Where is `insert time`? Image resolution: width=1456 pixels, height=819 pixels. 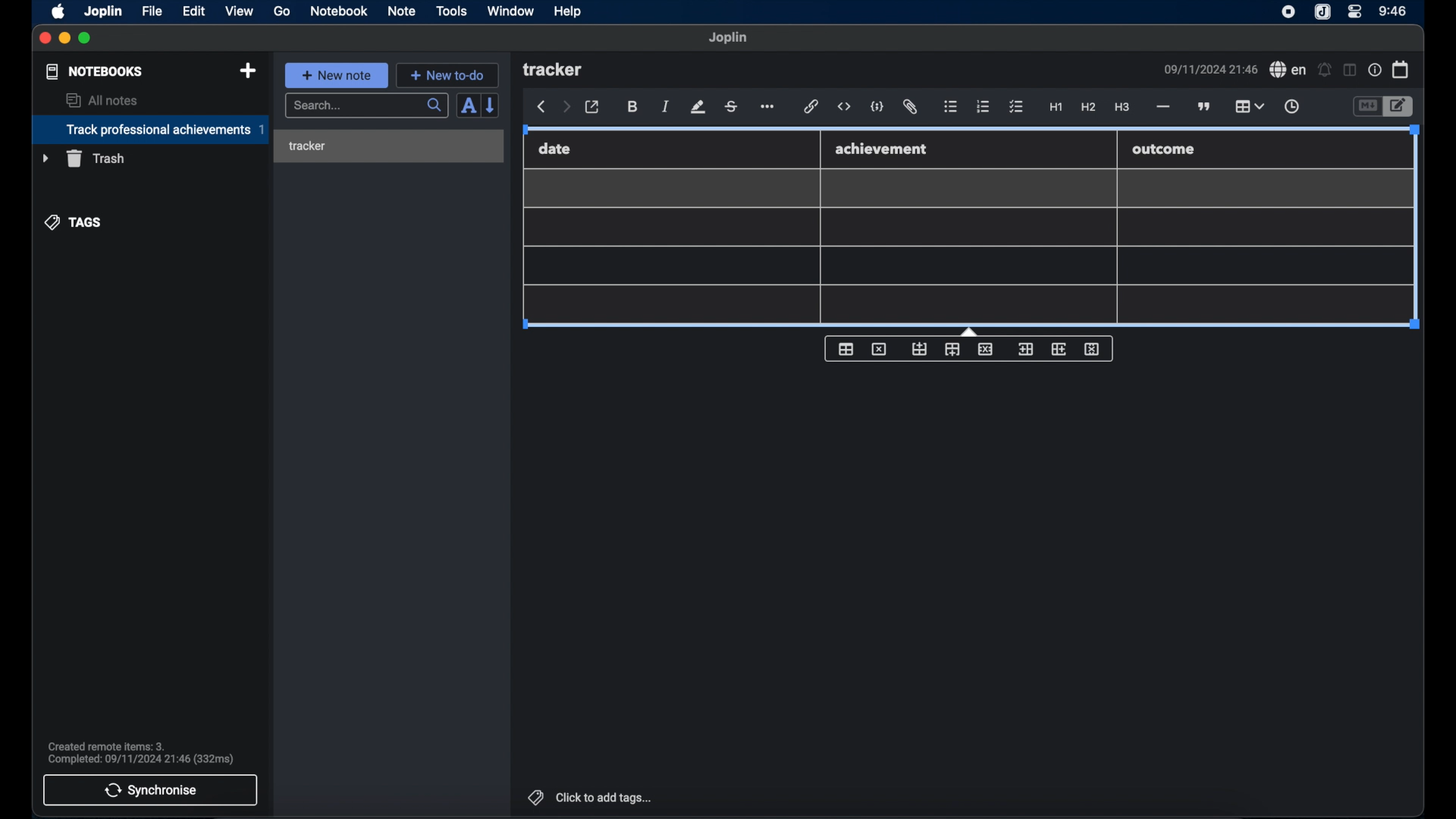
insert time is located at coordinates (1291, 107).